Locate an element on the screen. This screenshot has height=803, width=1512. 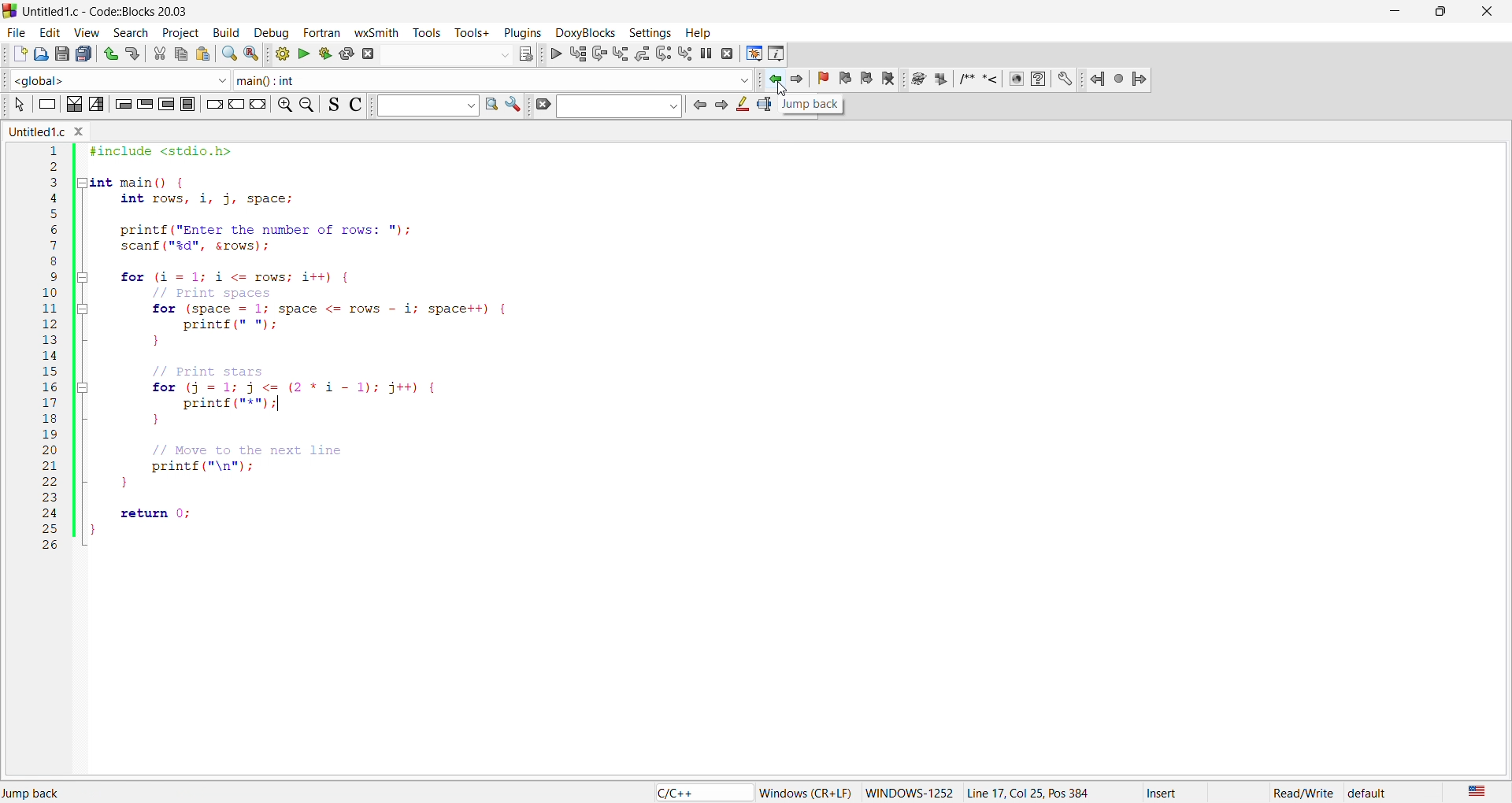
icon is located at coordinates (742, 106).